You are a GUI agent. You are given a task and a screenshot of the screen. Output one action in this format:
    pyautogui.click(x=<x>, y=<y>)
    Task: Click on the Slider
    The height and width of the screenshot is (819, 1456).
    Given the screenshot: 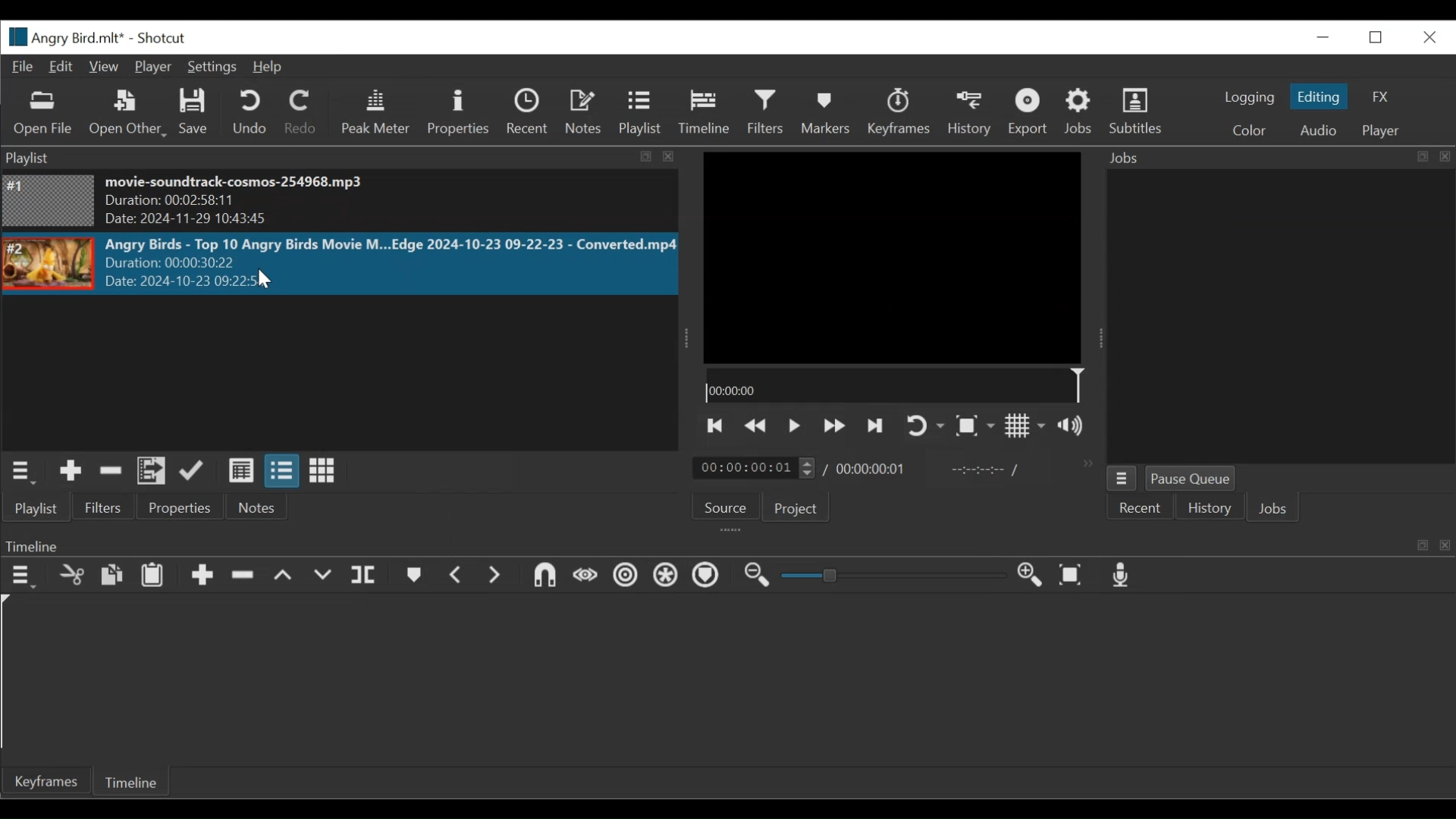 What is the action you would take?
    pyautogui.click(x=894, y=577)
    